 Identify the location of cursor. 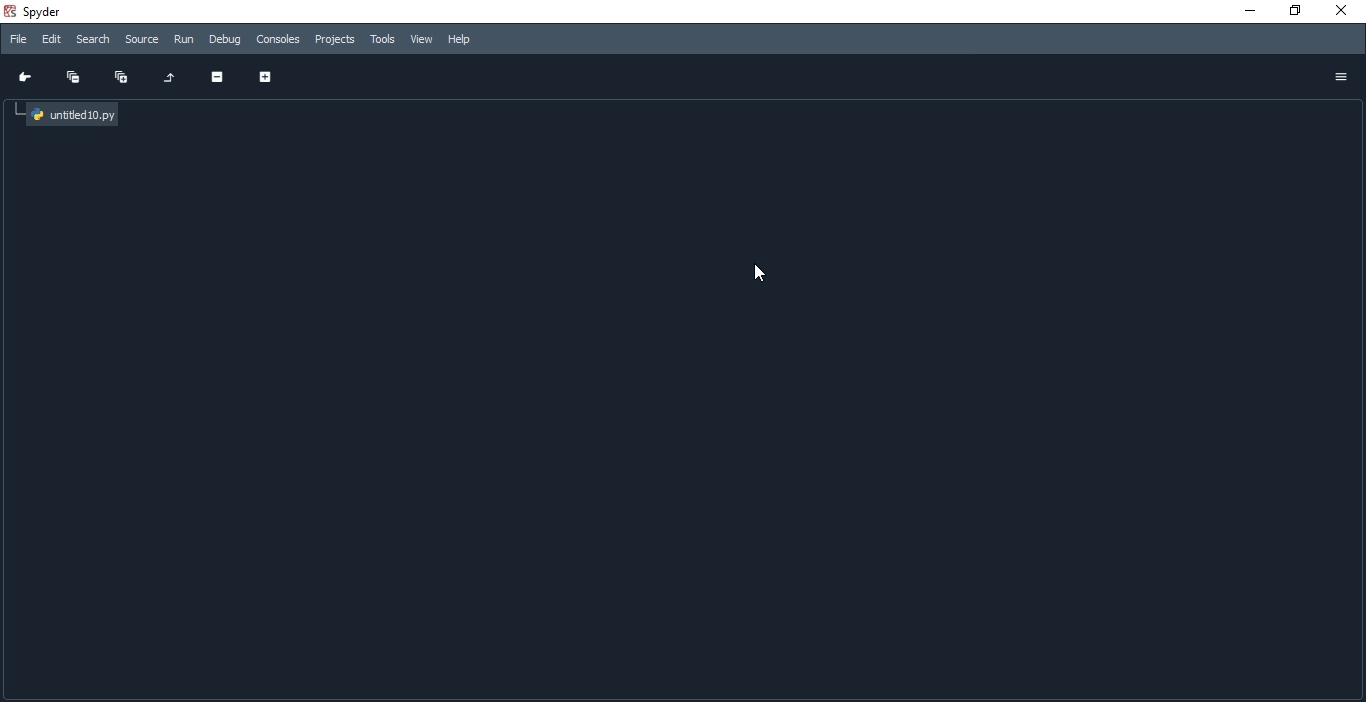
(760, 272).